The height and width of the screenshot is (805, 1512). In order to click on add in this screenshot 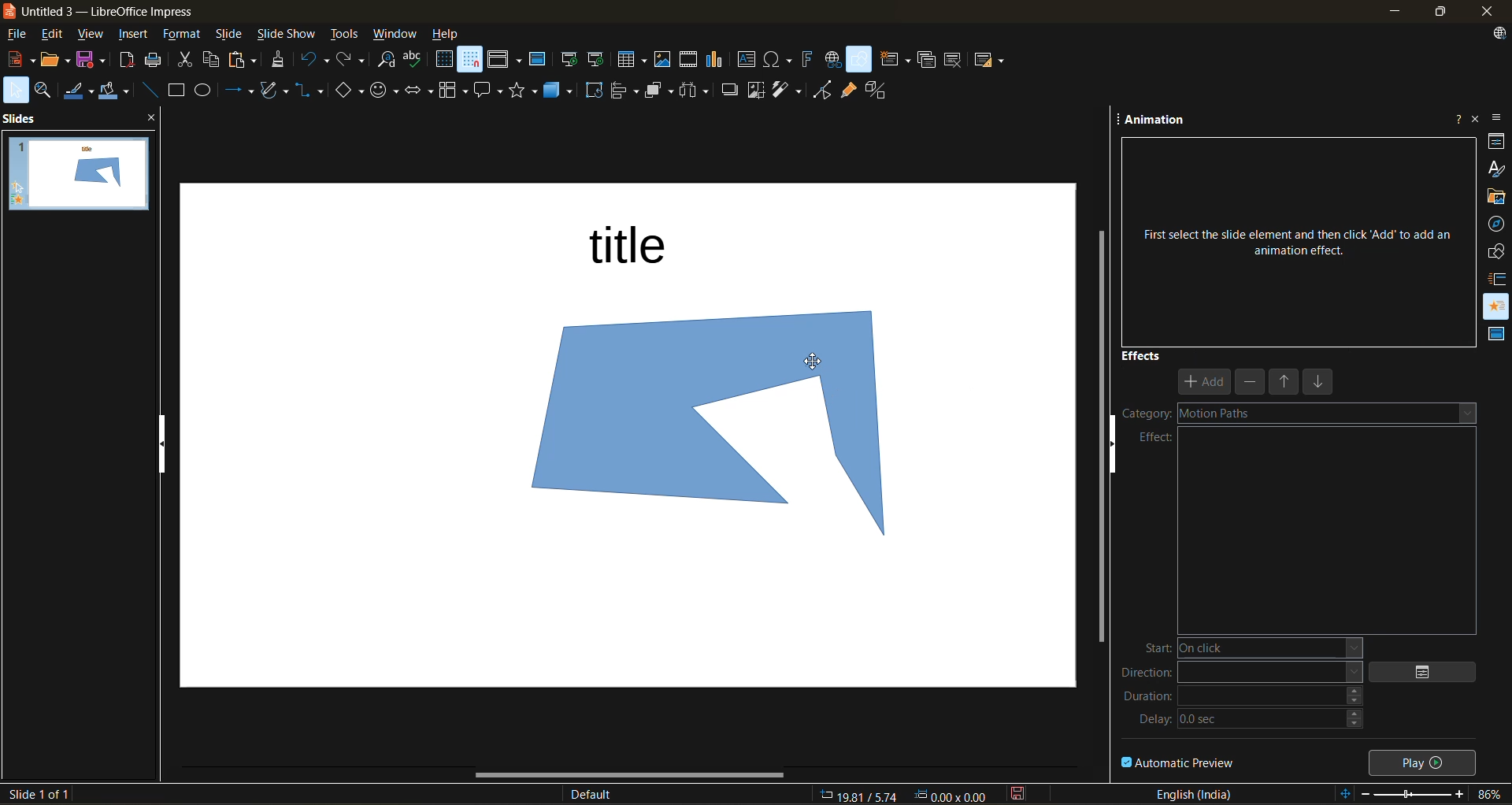, I will do `click(1208, 381)`.